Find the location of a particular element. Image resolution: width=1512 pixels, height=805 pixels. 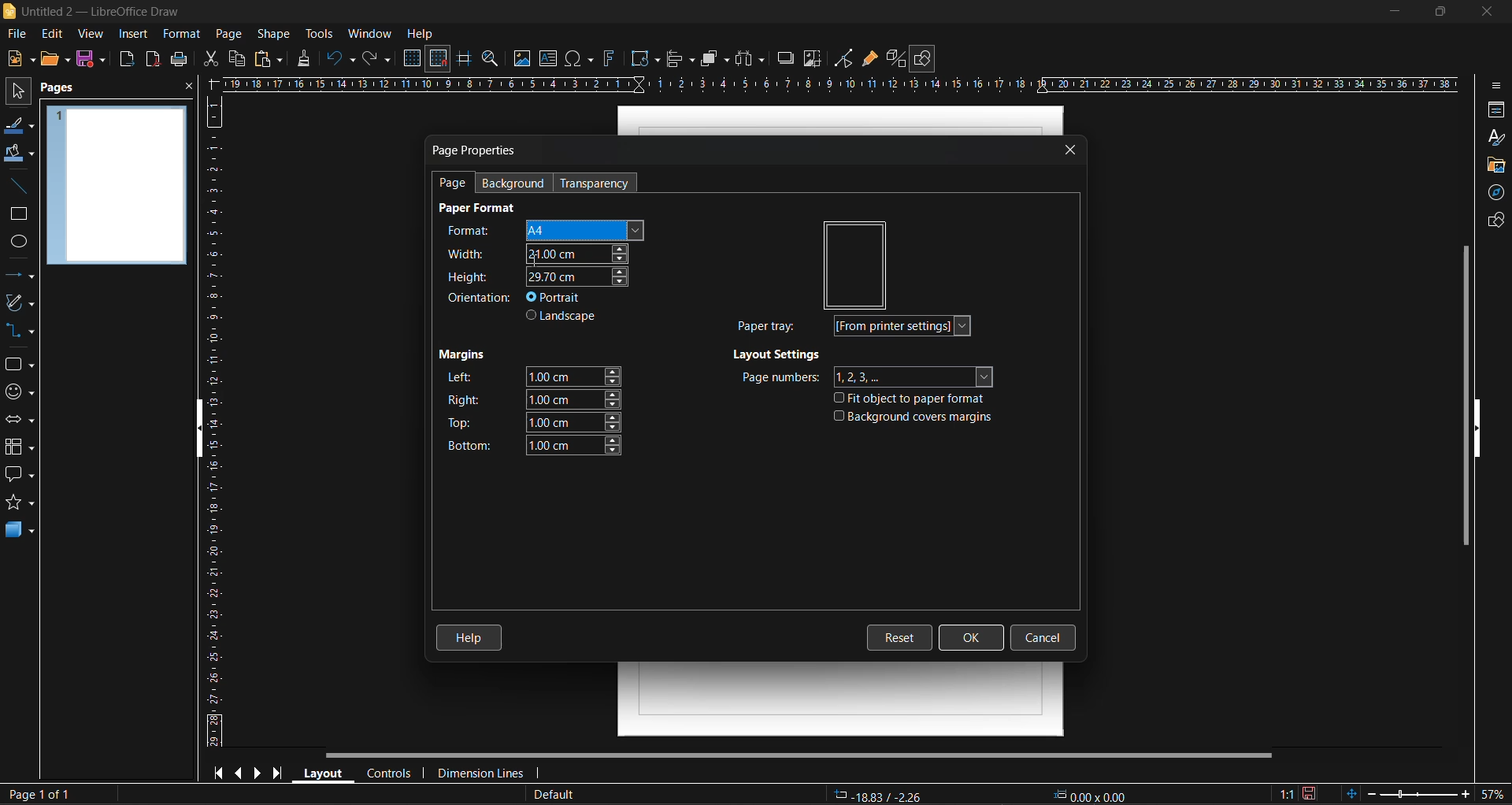

open is located at coordinates (54, 60).